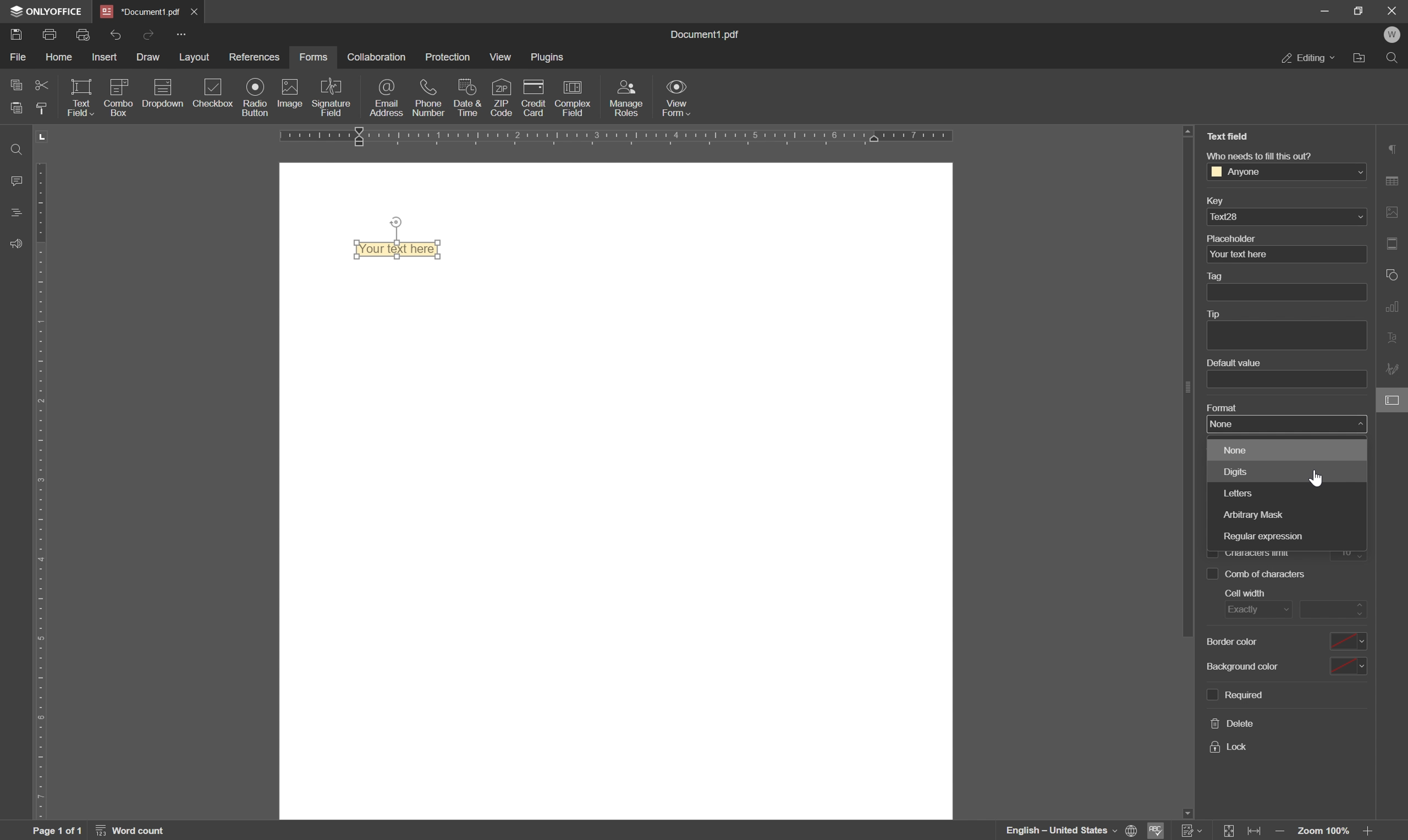  What do you see at coordinates (1217, 200) in the screenshot?
I see `key` at bounding box center [1217, 200].